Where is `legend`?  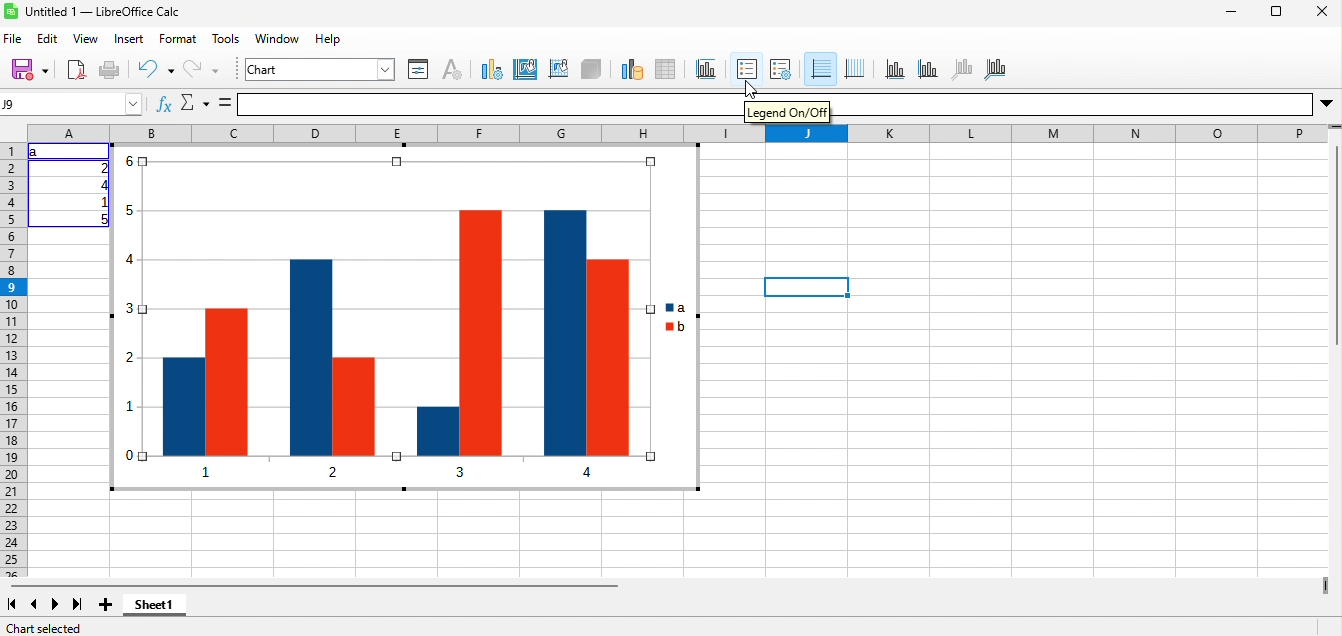
legend is located at coordinates (781, 70).